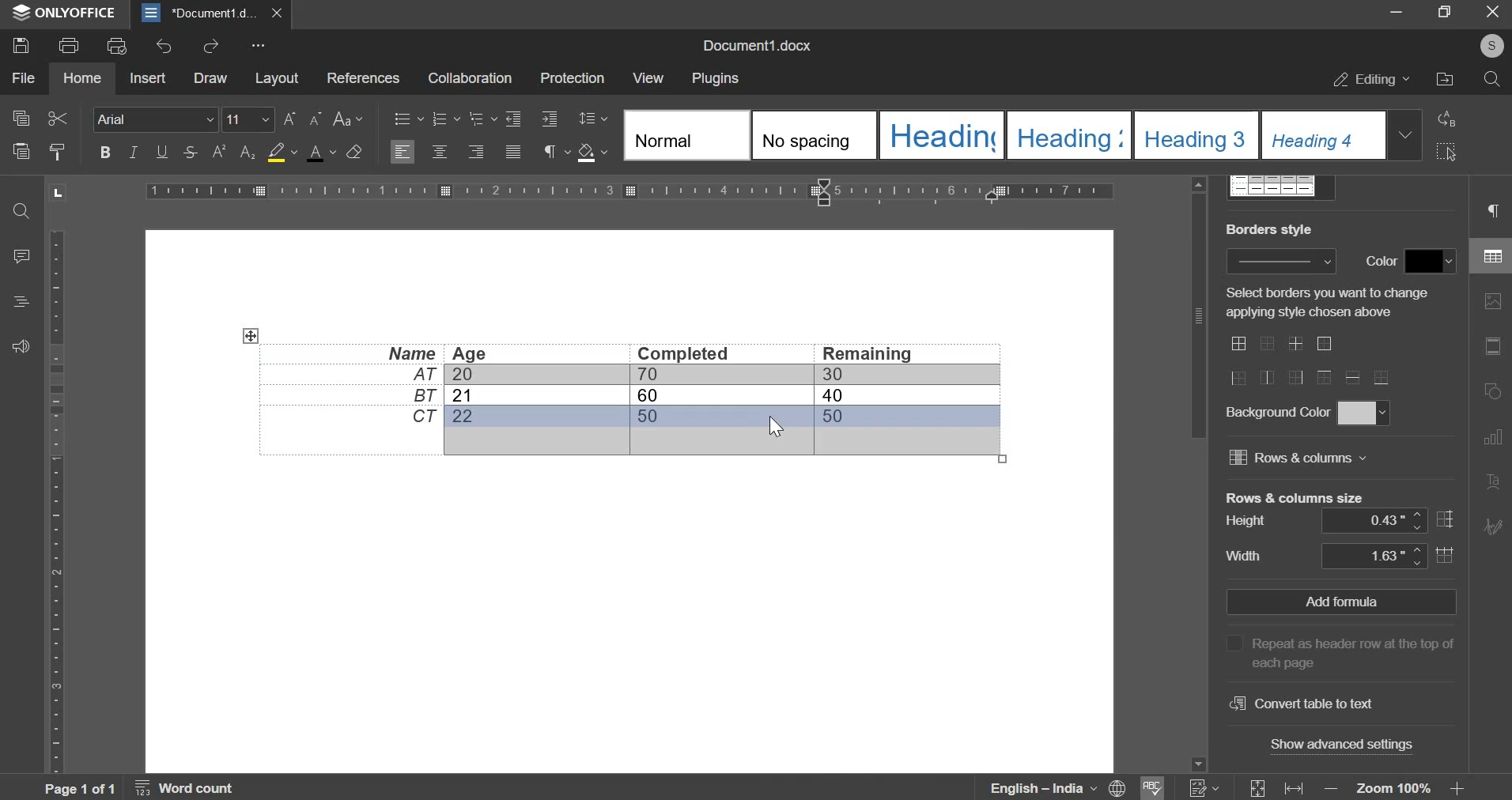 The image size is (1512, 800). I want to click on plugins, so click(713, 79).